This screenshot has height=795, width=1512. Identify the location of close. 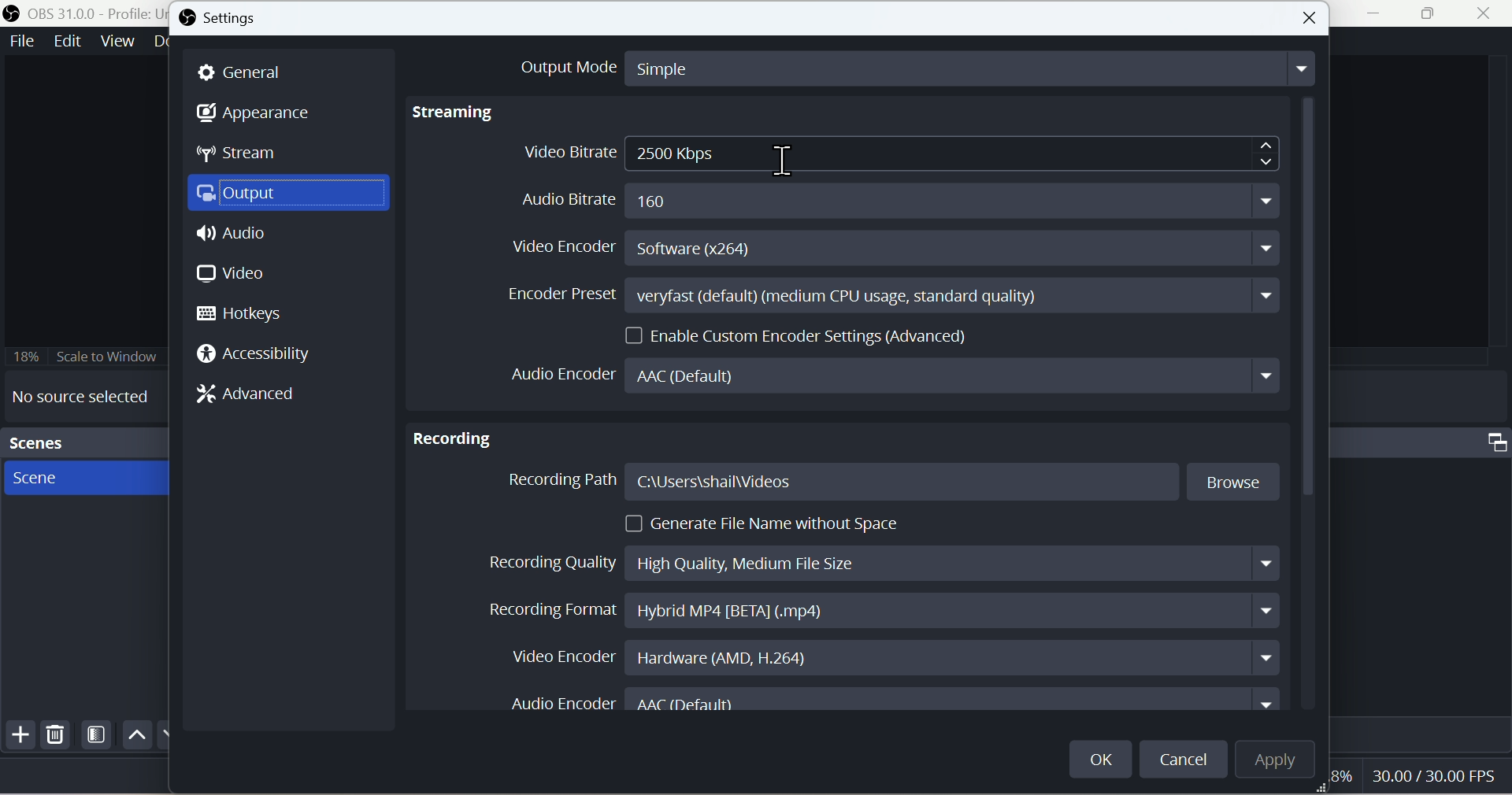
(1488, 15).